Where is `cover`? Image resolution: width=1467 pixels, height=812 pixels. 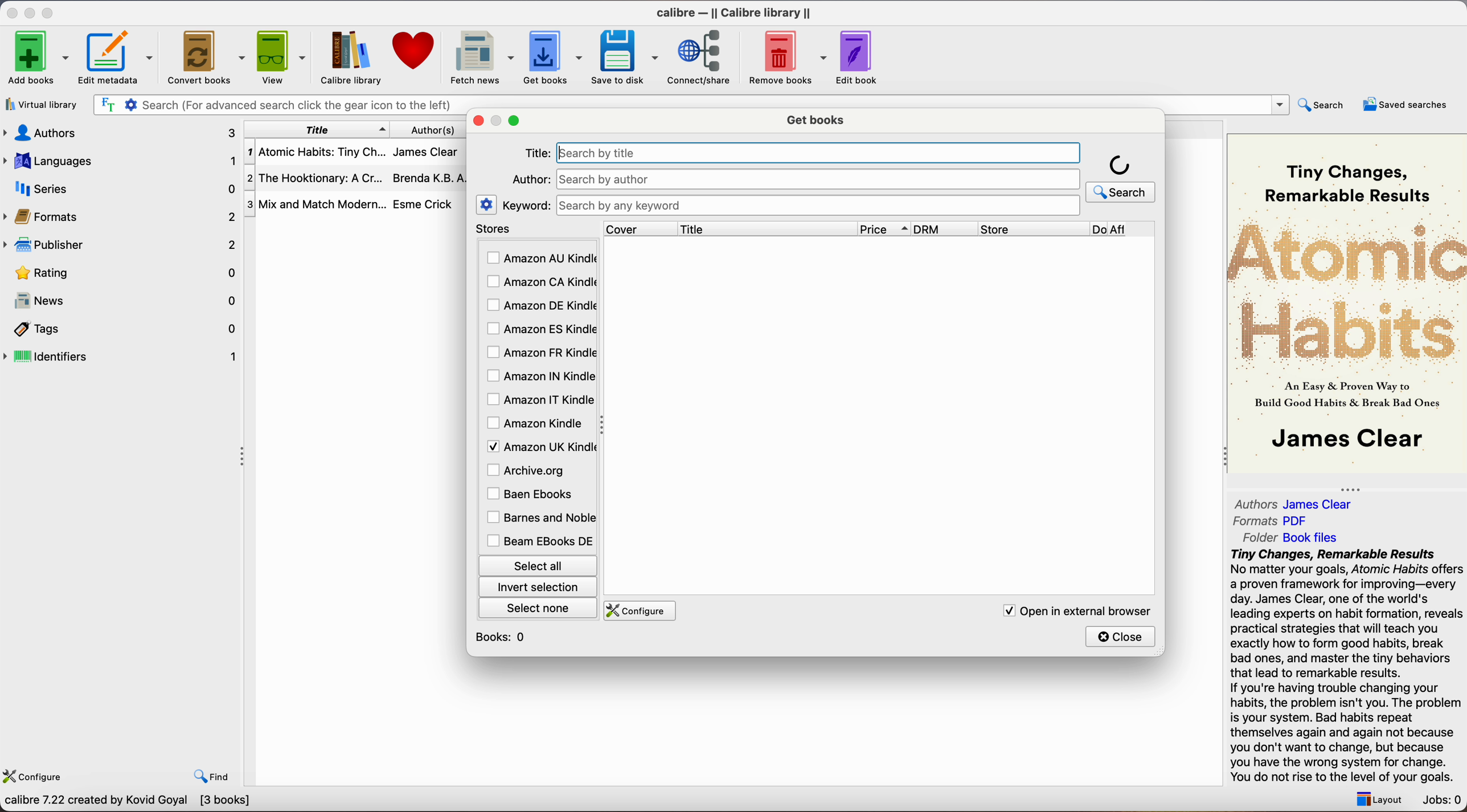
cover is located at coordinates (640, 228).